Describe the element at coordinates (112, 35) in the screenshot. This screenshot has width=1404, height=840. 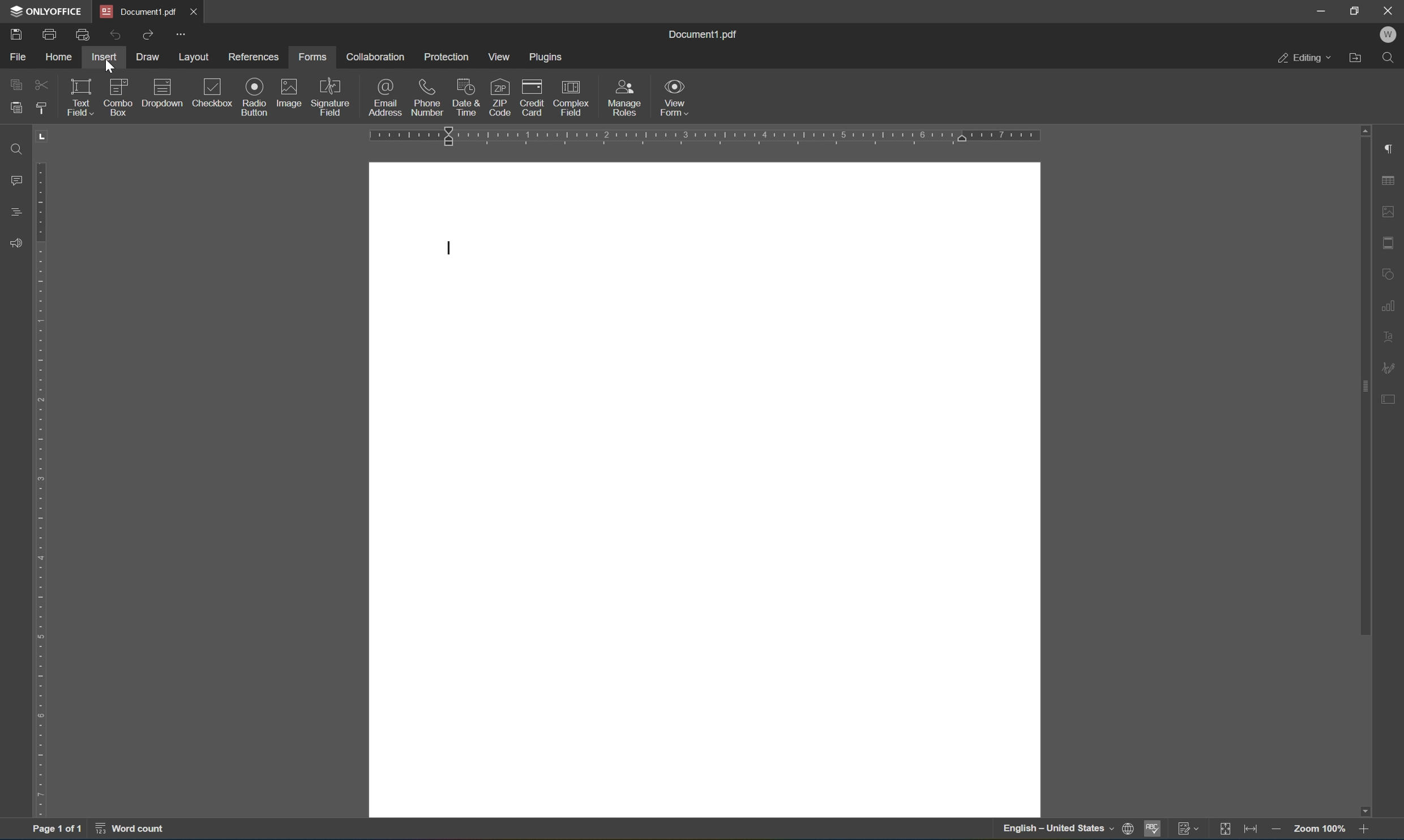
I see `undo` at that location.